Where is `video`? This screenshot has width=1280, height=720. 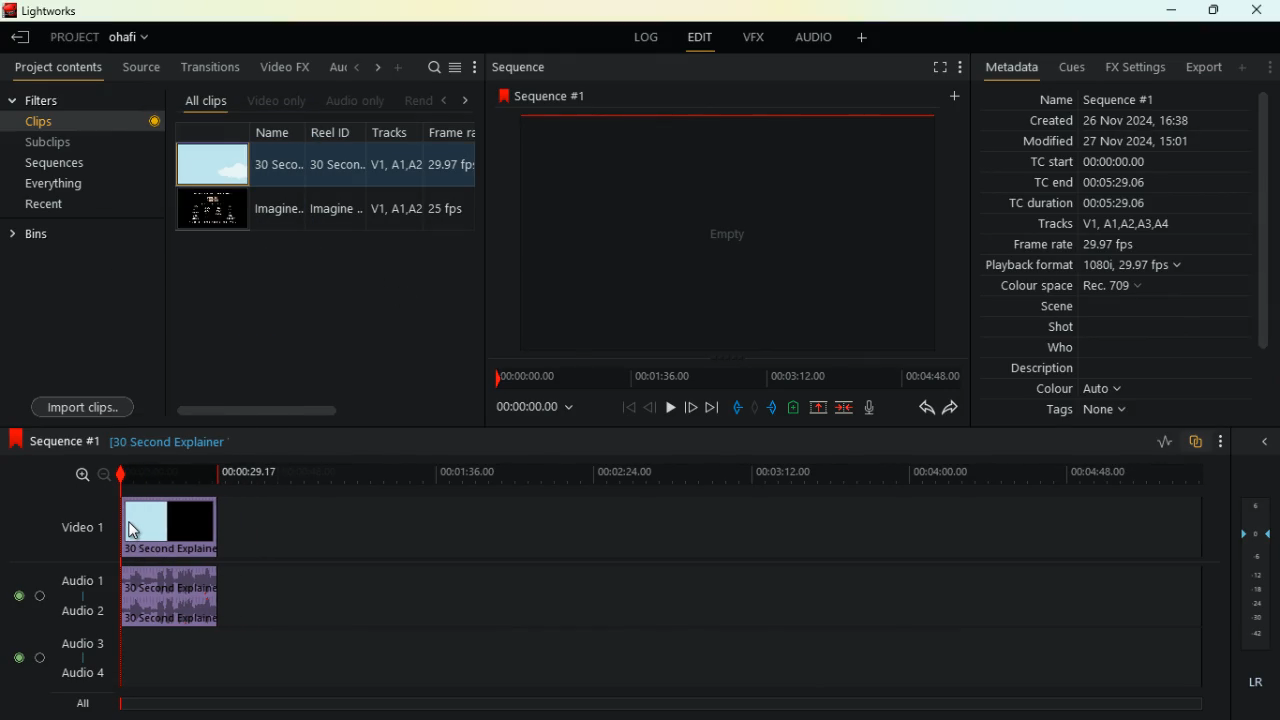
video is located at coordinates (171, 525).